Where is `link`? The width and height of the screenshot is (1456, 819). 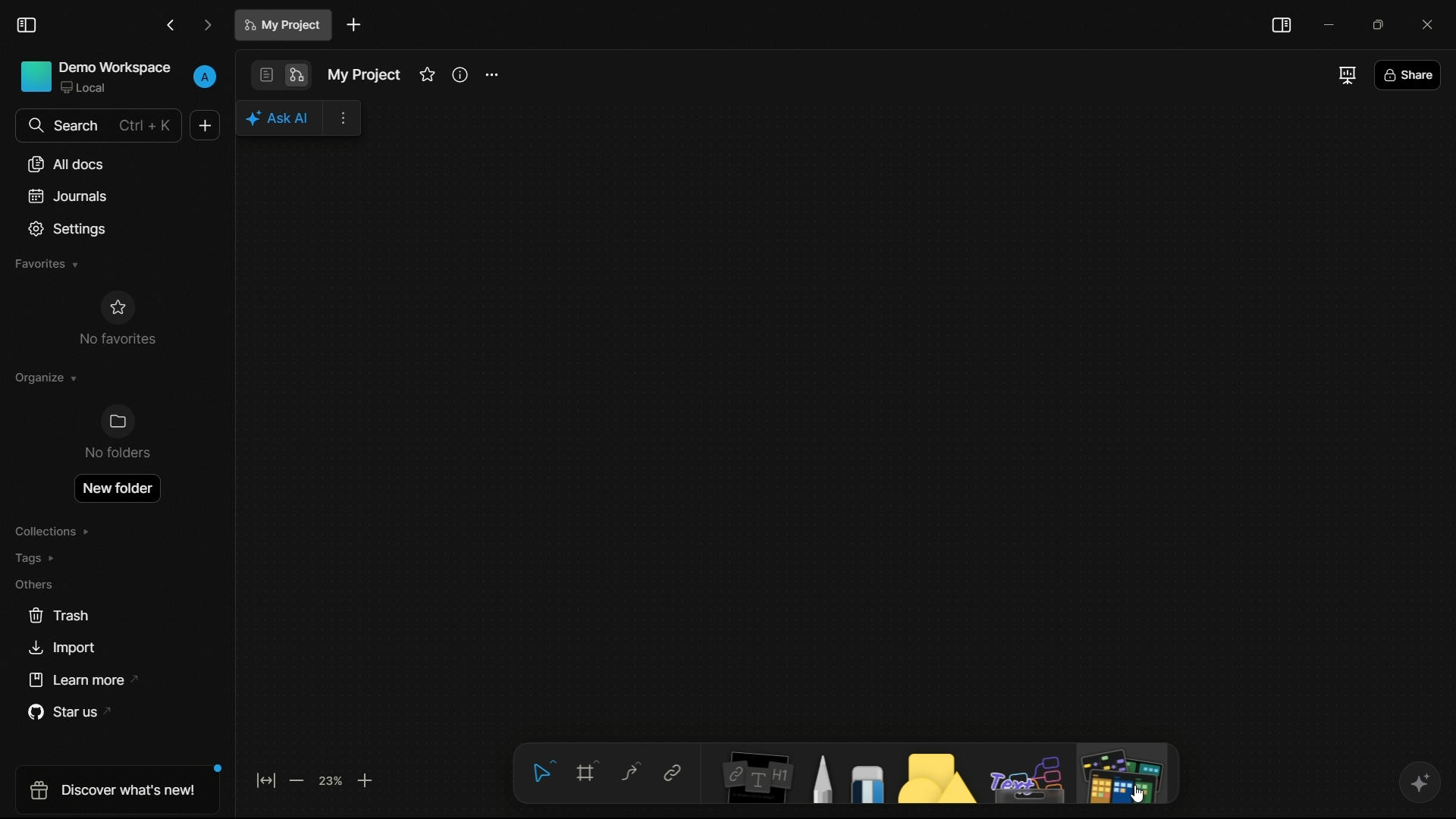 link is located at coordinates (672, 773).